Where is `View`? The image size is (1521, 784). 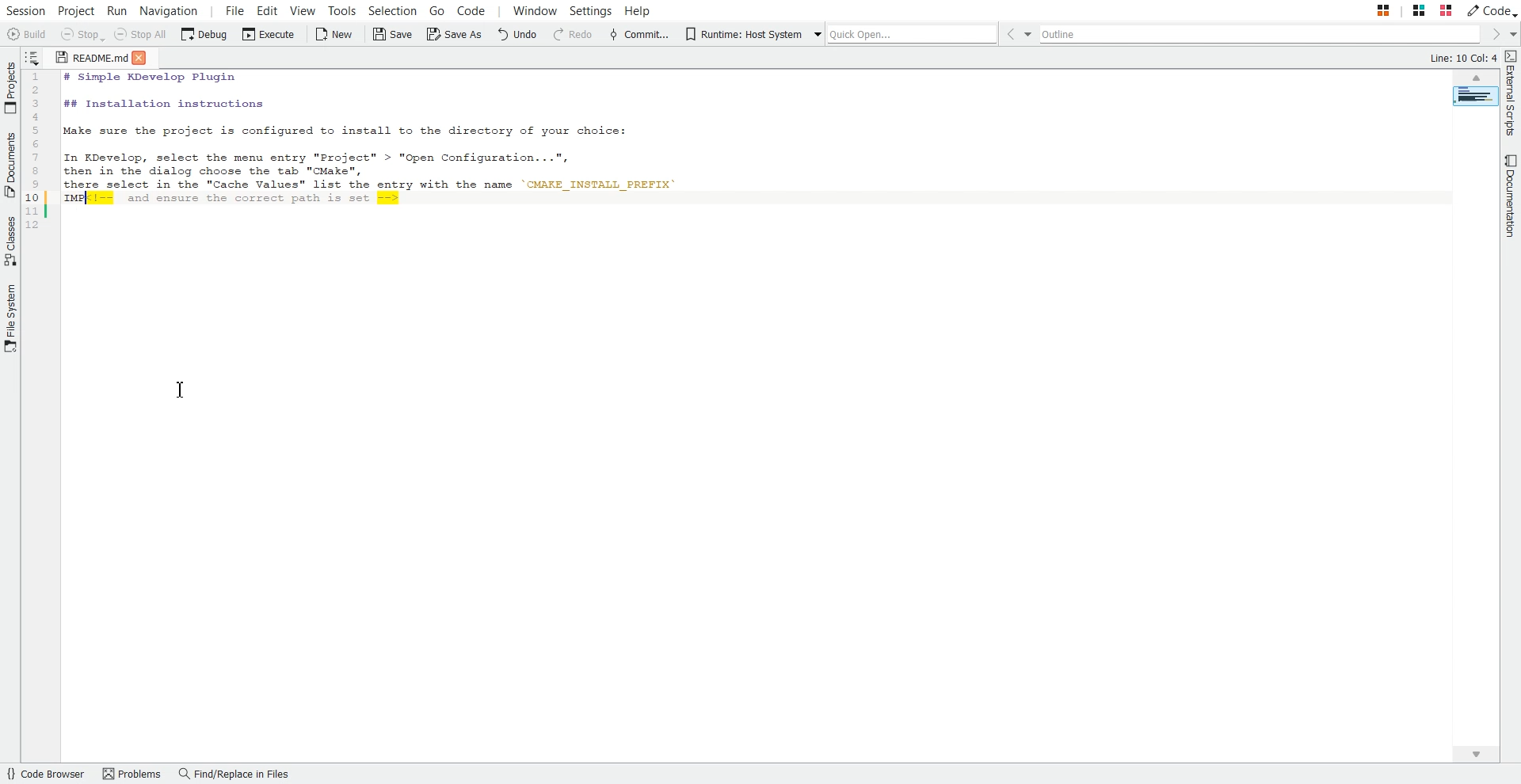
View is located at coordinates (302, 10).